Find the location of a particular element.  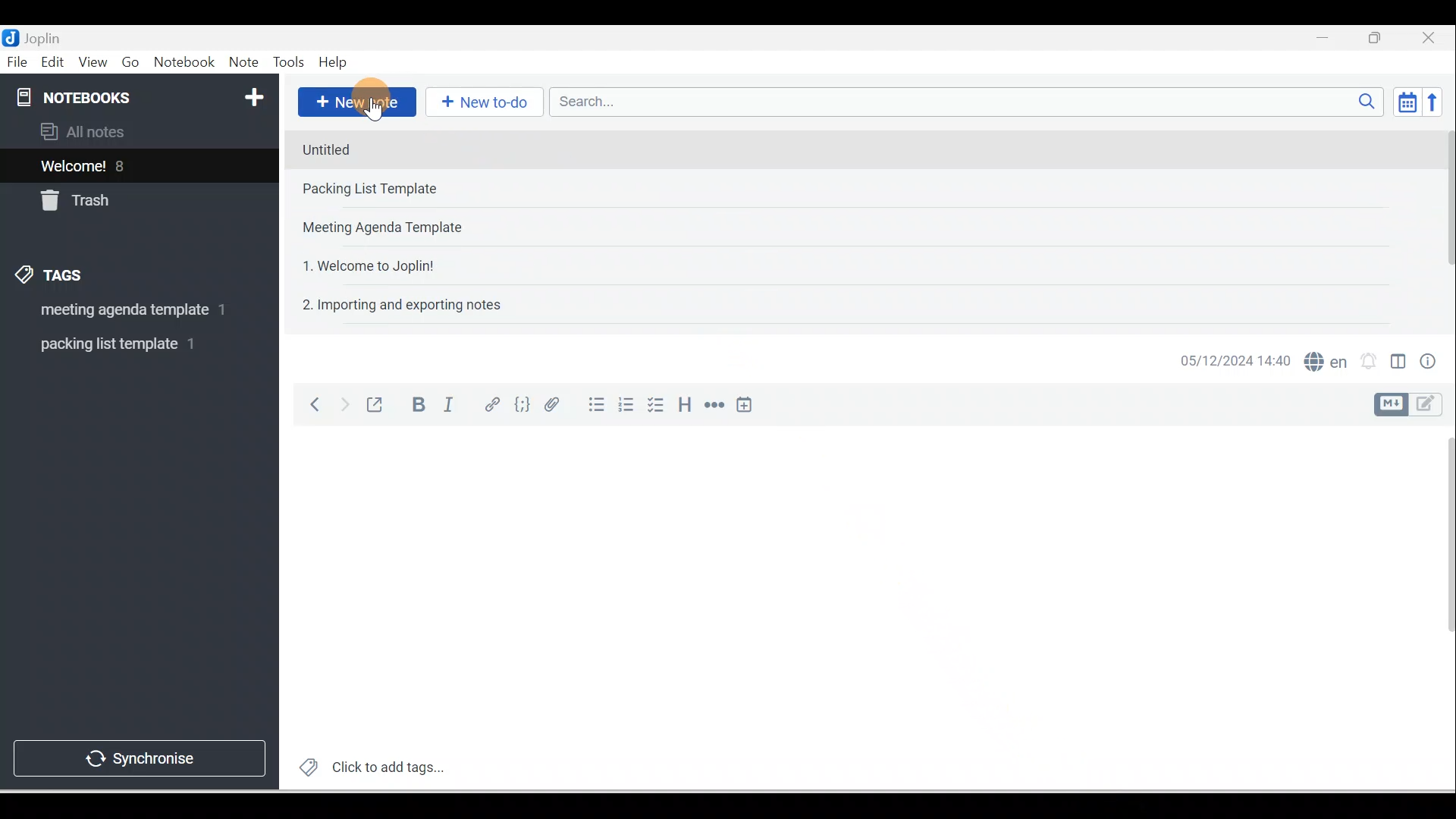

Back is located at coordinates (308, 404).